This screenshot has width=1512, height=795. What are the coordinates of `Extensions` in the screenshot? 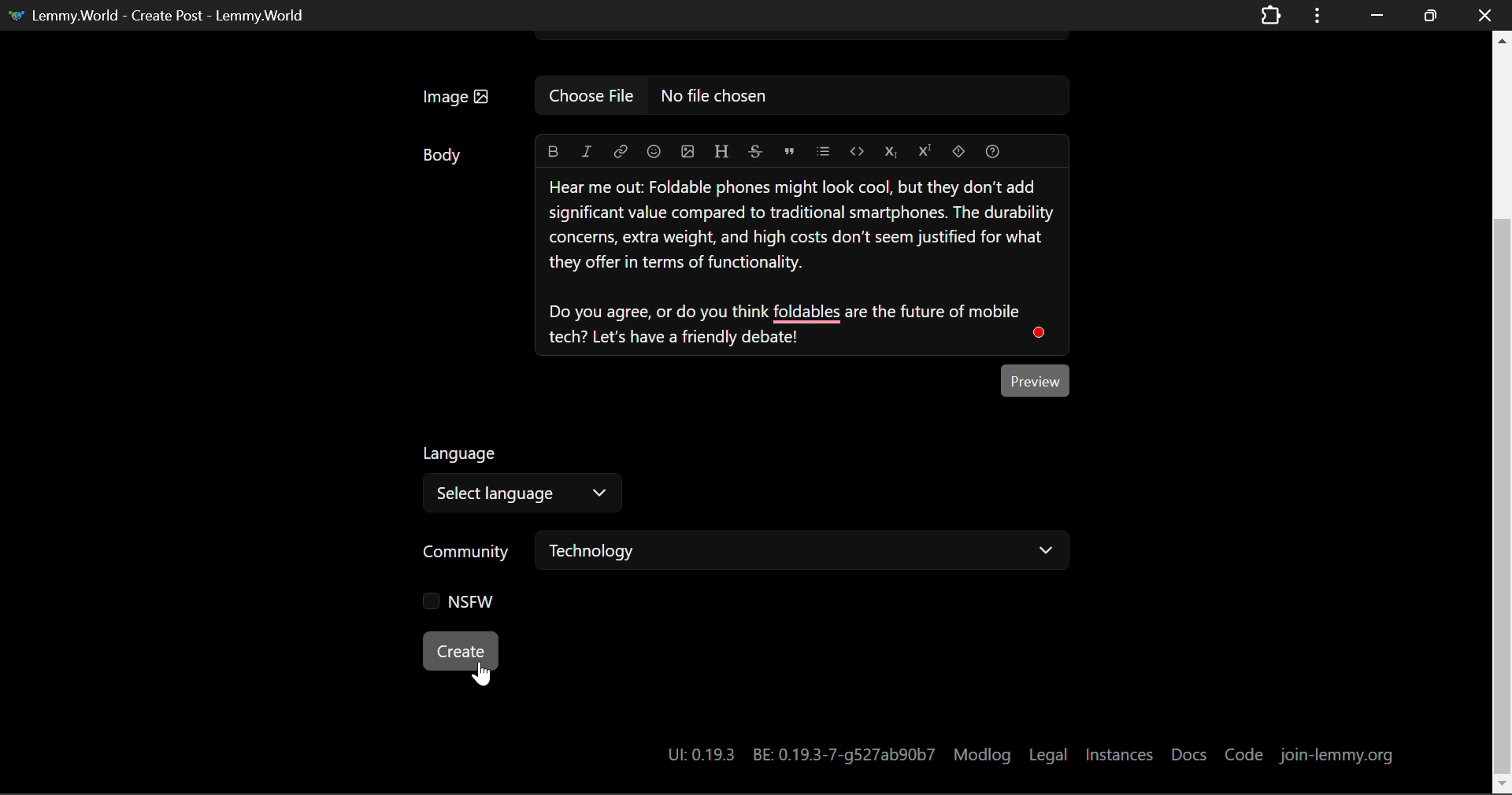 It's located at (1270, 14).